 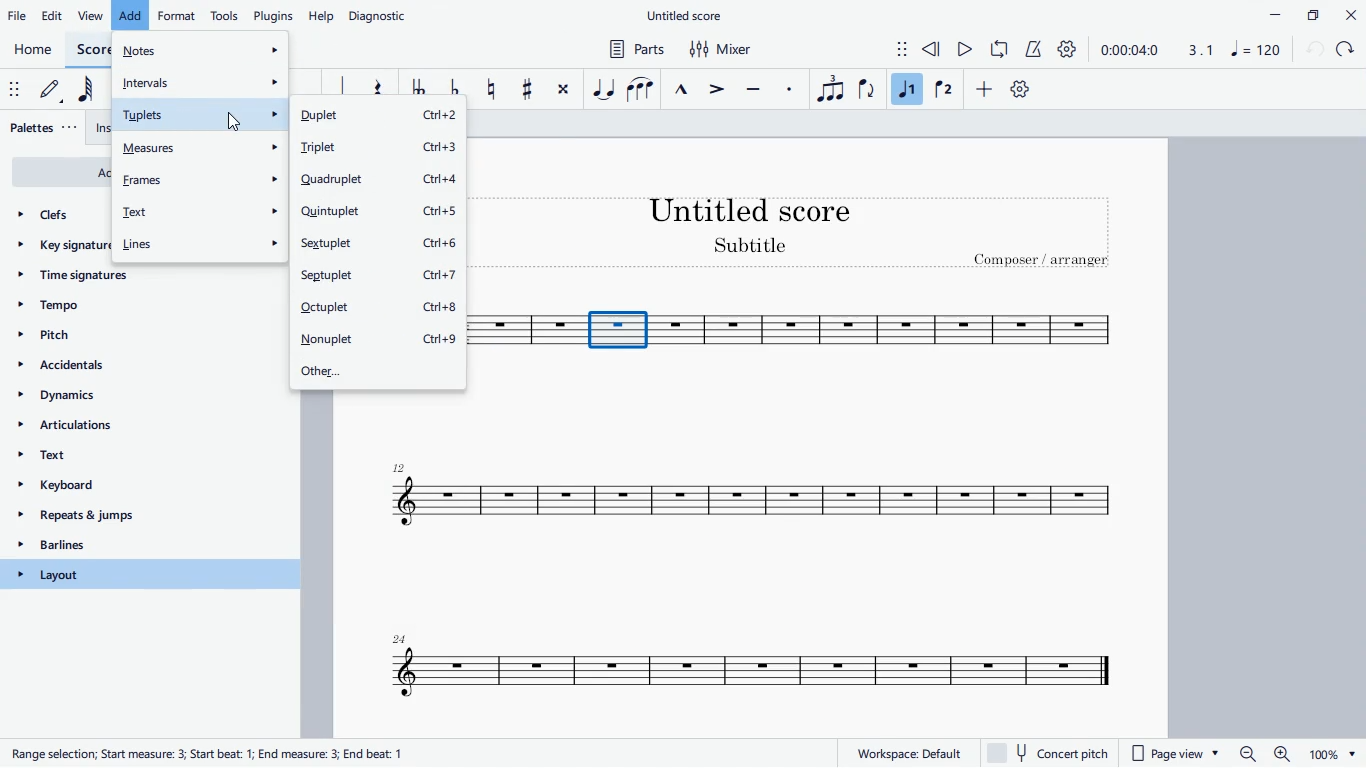 I want to click on tempo, so click(x=117, y=307).